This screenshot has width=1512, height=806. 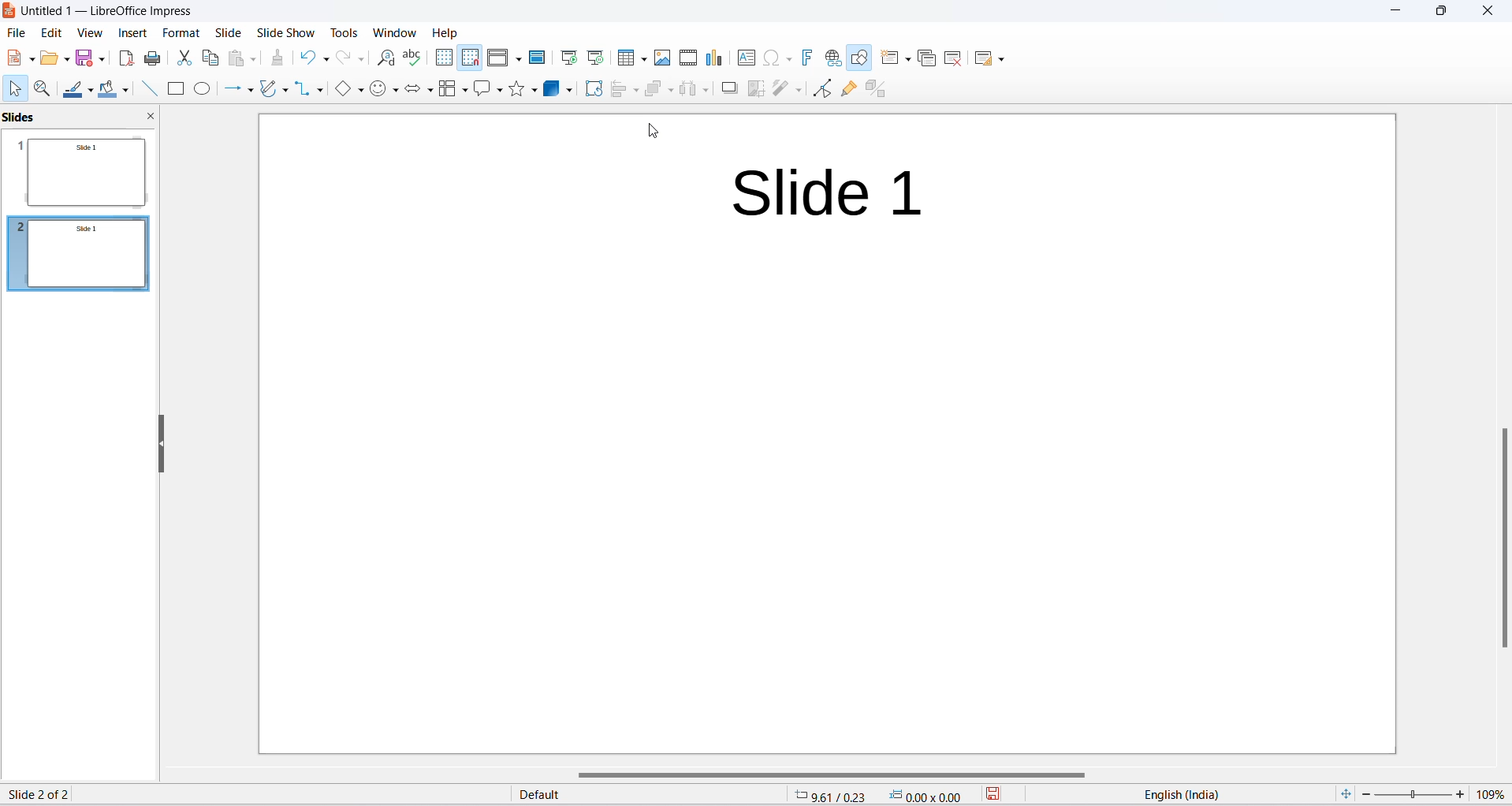 I want to click on find, so click(x=385, y=58).